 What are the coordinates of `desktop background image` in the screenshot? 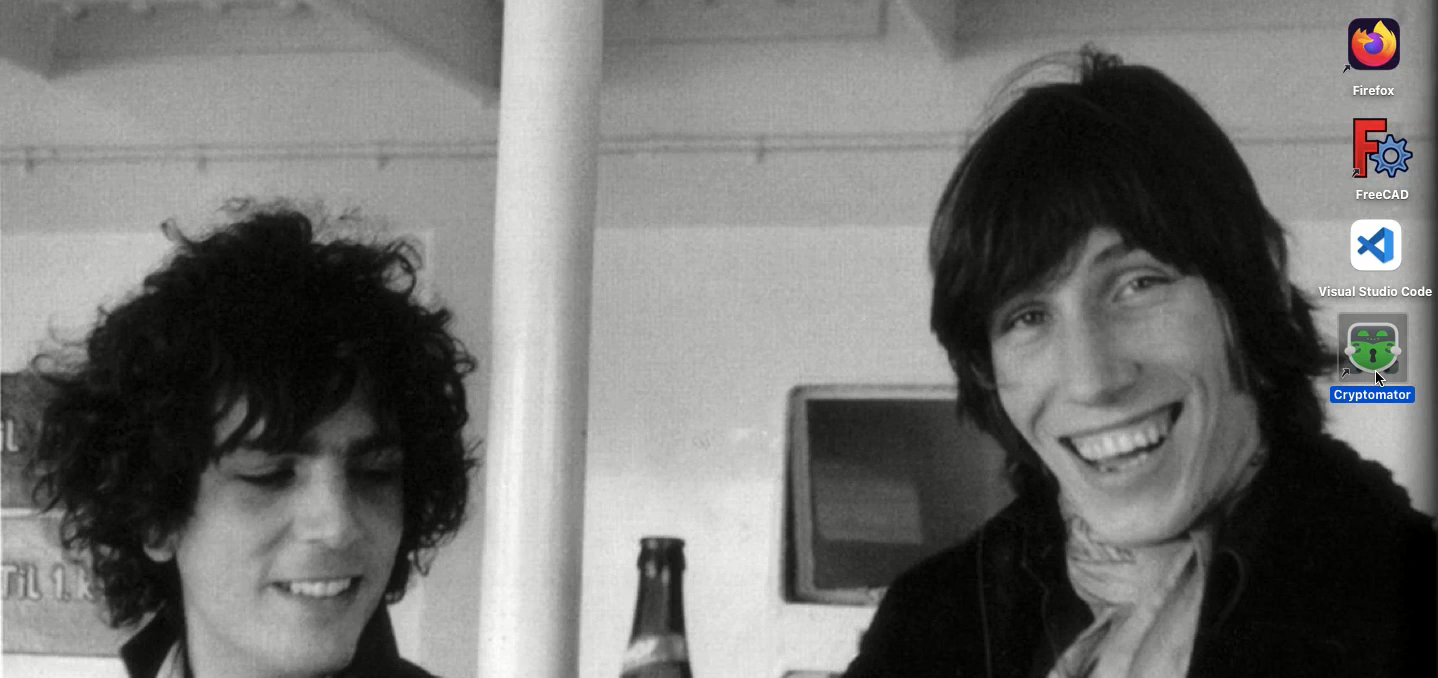 It's located at (656, 339).